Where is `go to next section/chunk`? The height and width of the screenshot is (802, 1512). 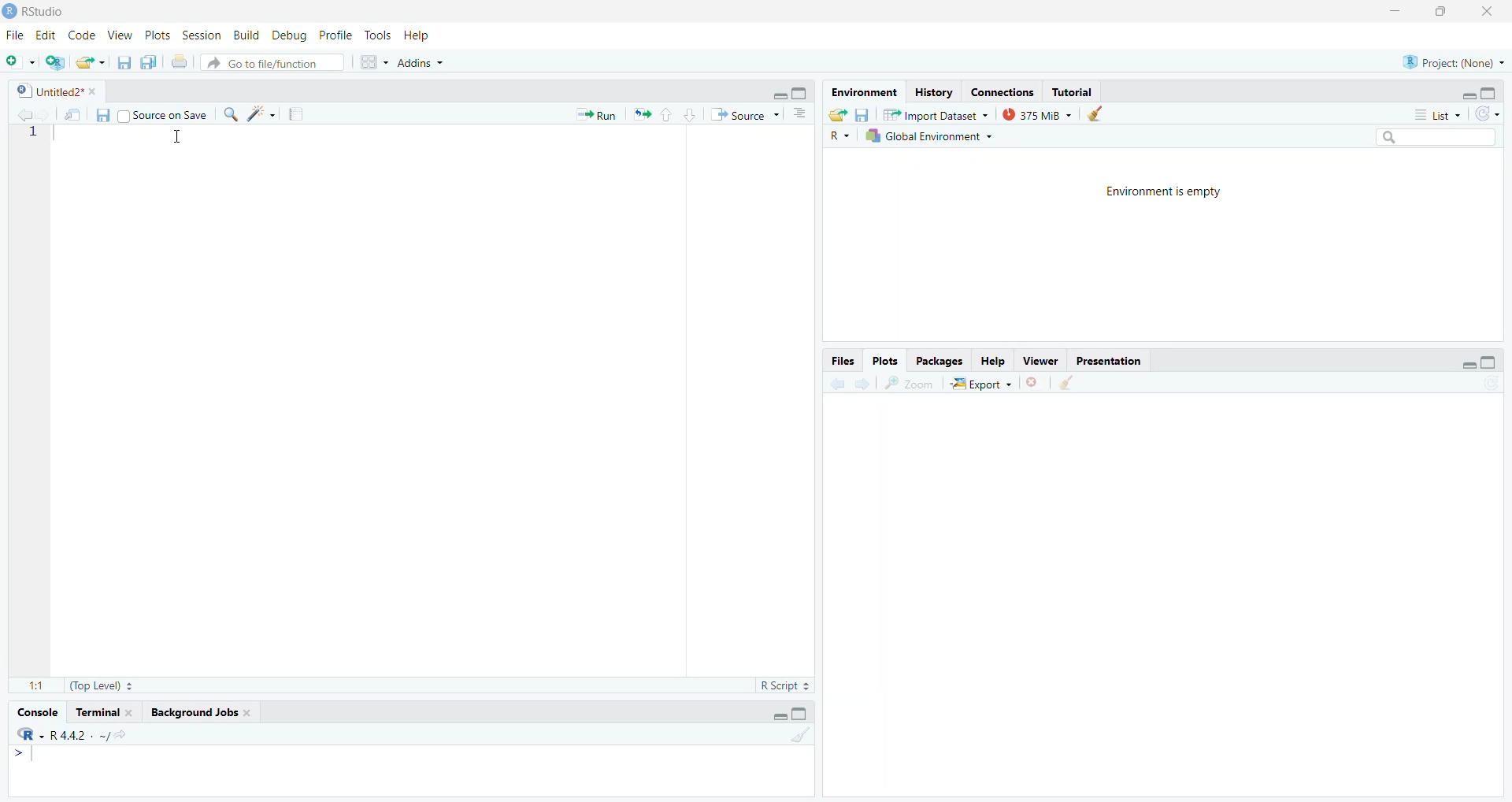 go to next section/chunk is located at coordinates (689, 114).